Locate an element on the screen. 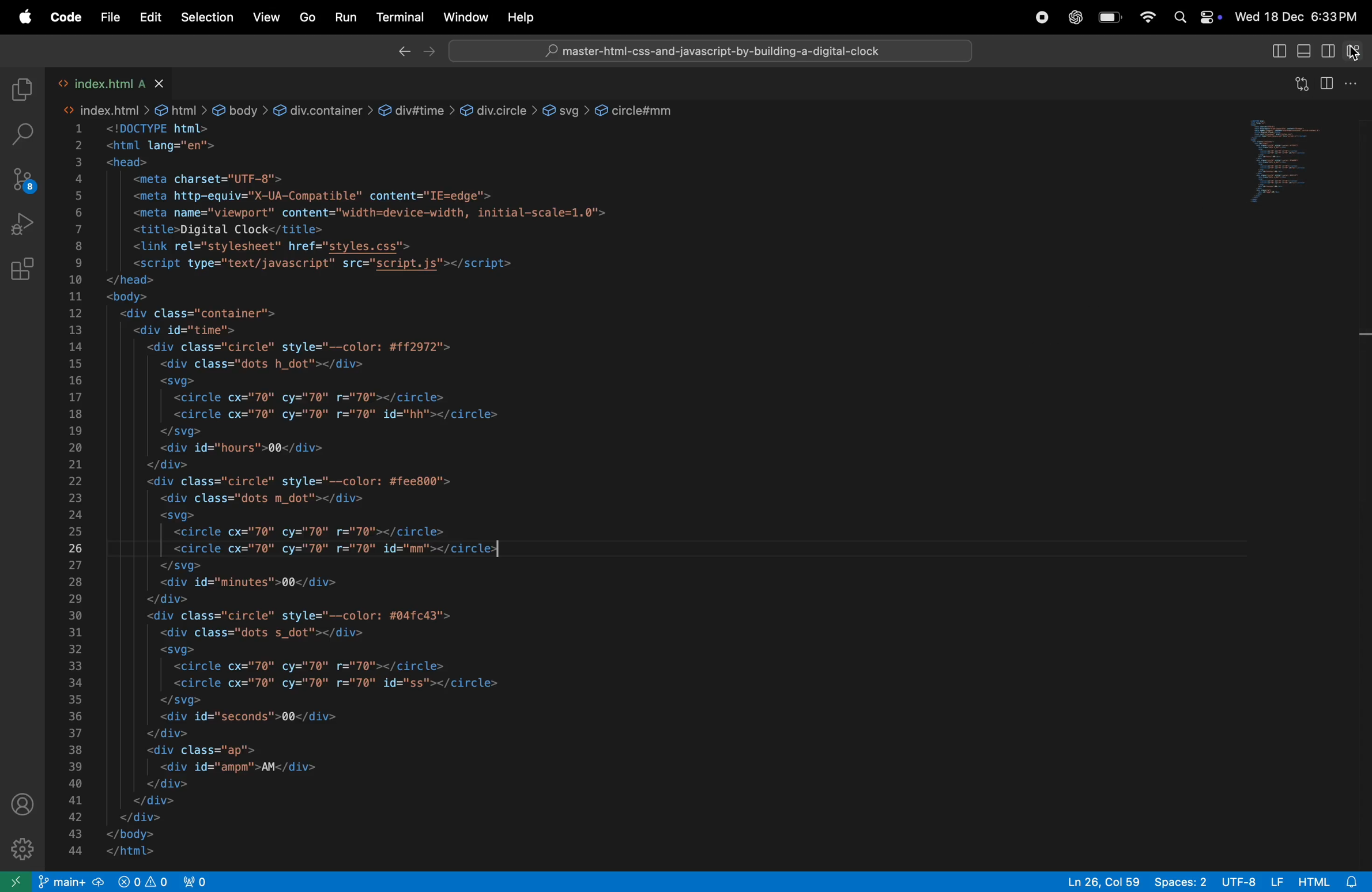 The width and height of the screenshot is (1372, 892). battery is located at coordinates (1109, 18).